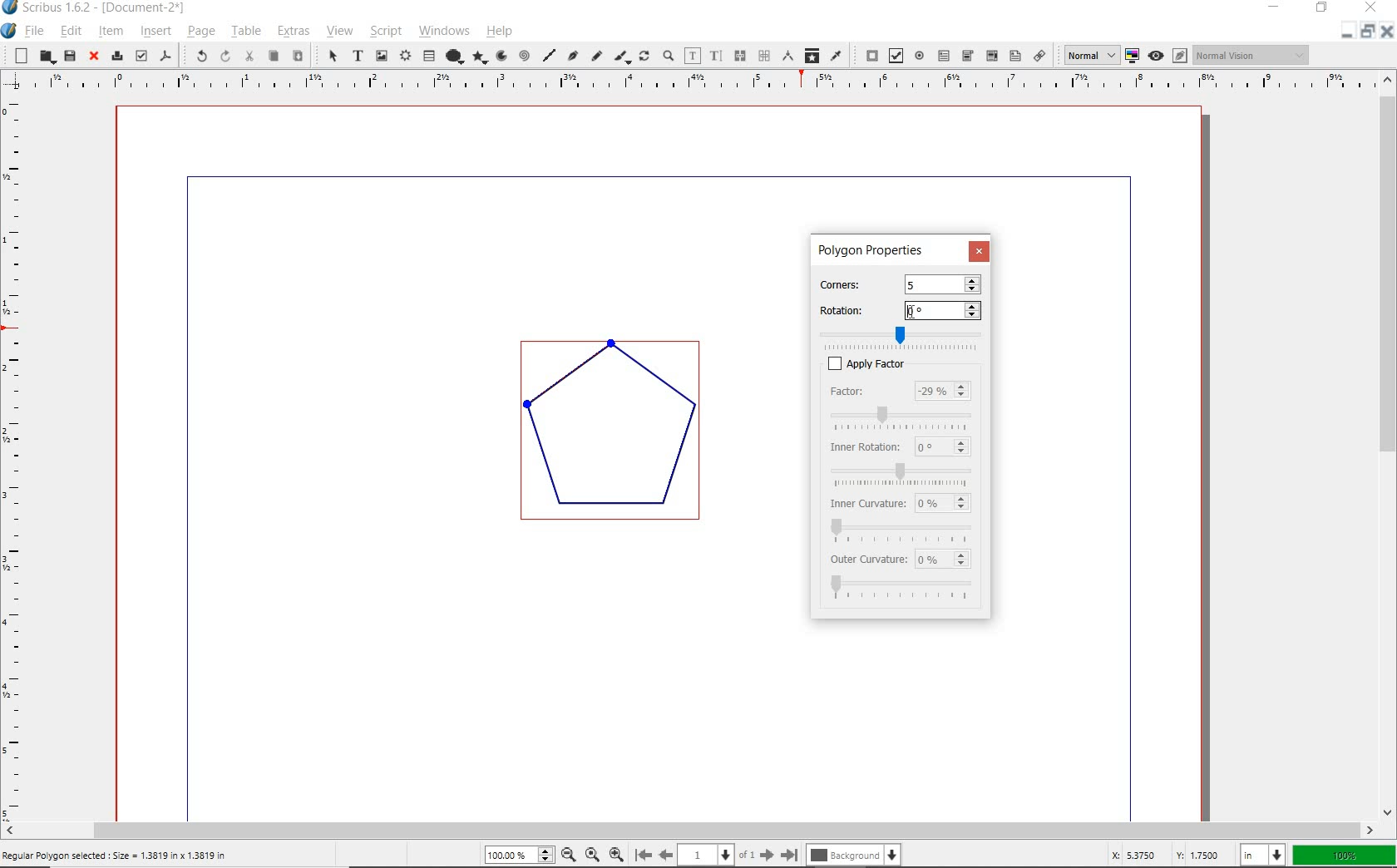 The height and width of the screenshot is (868, 1397). I want to click on 5 SIDE POLYGON DRAWN, so click(623, 439).